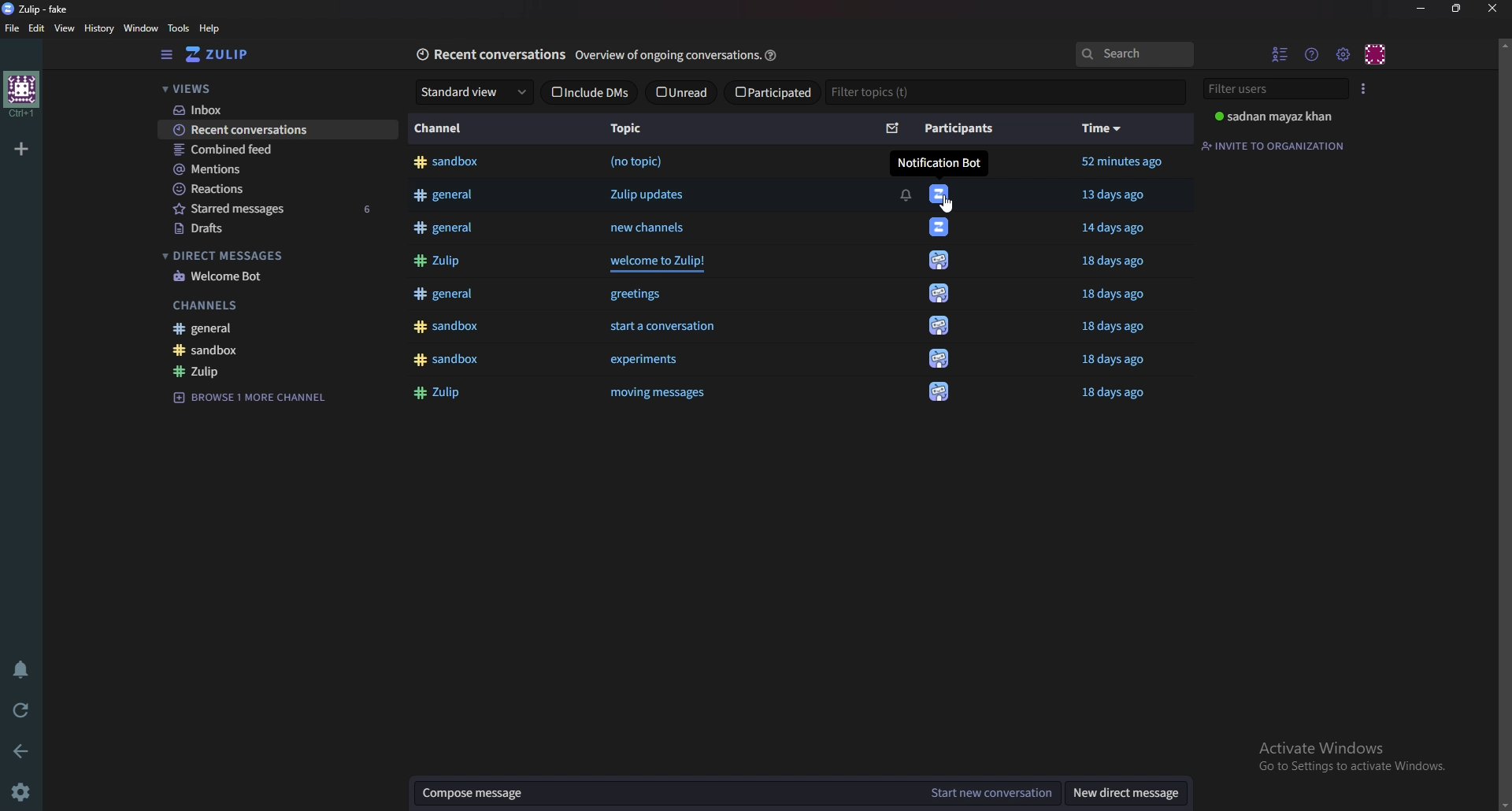 The width and height of the screenshot is (1512, 811). What do you see at coordinates (22, 670) in the screenshot?
I see `Enable do not disturb` at bounding box center [22, 670].